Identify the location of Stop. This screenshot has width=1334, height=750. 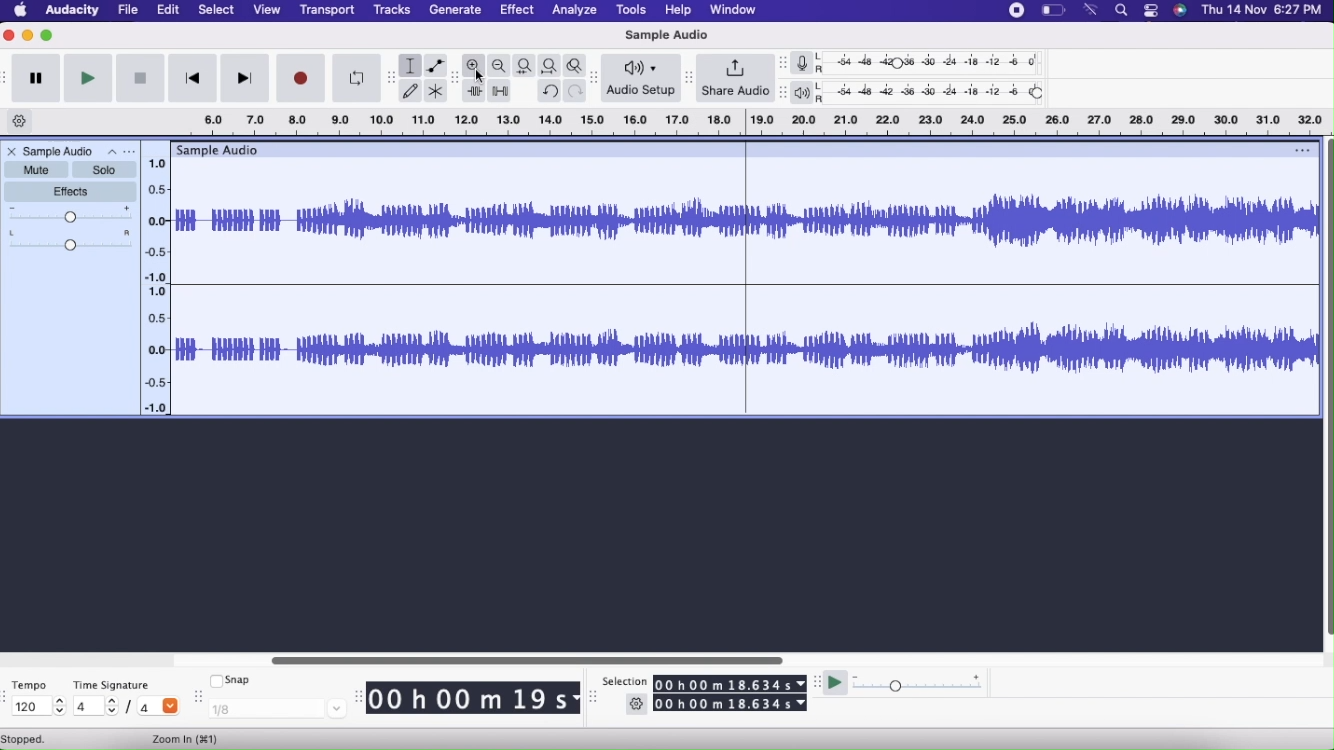
(140, 78).